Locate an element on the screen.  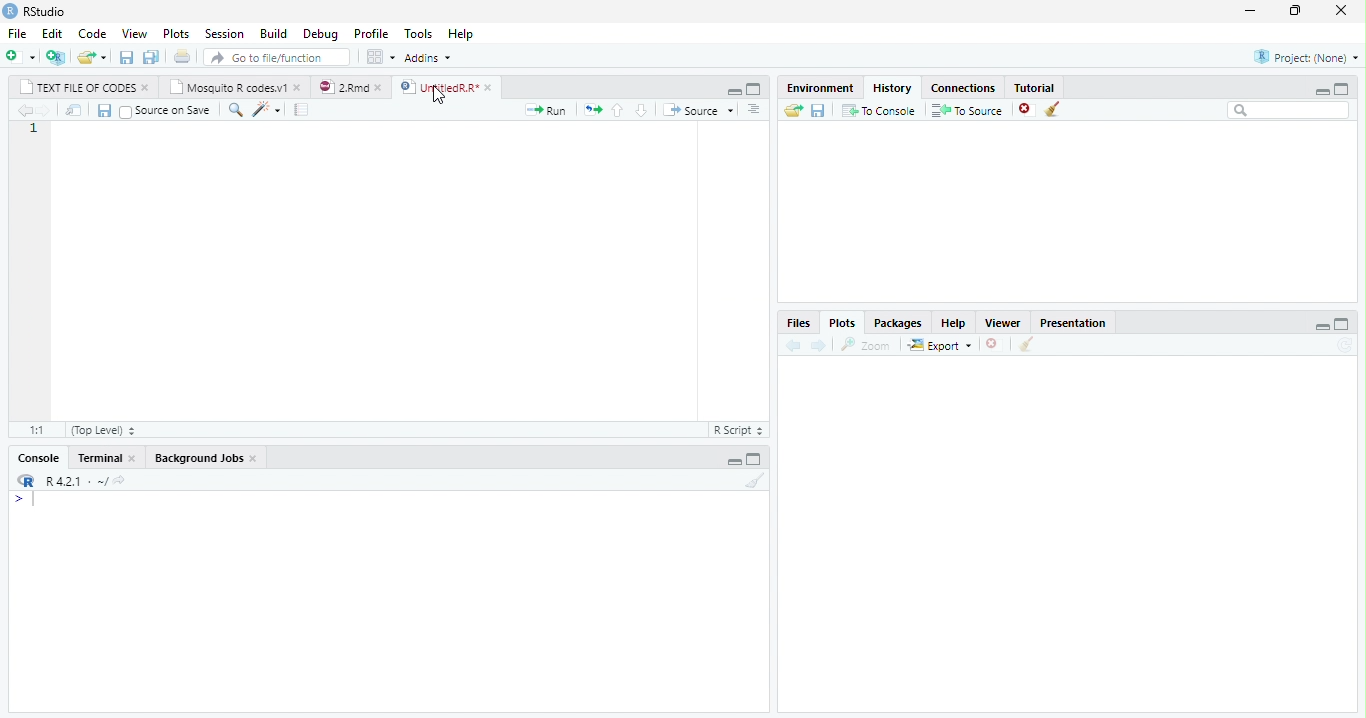
help is located at coordinates (954, 321).